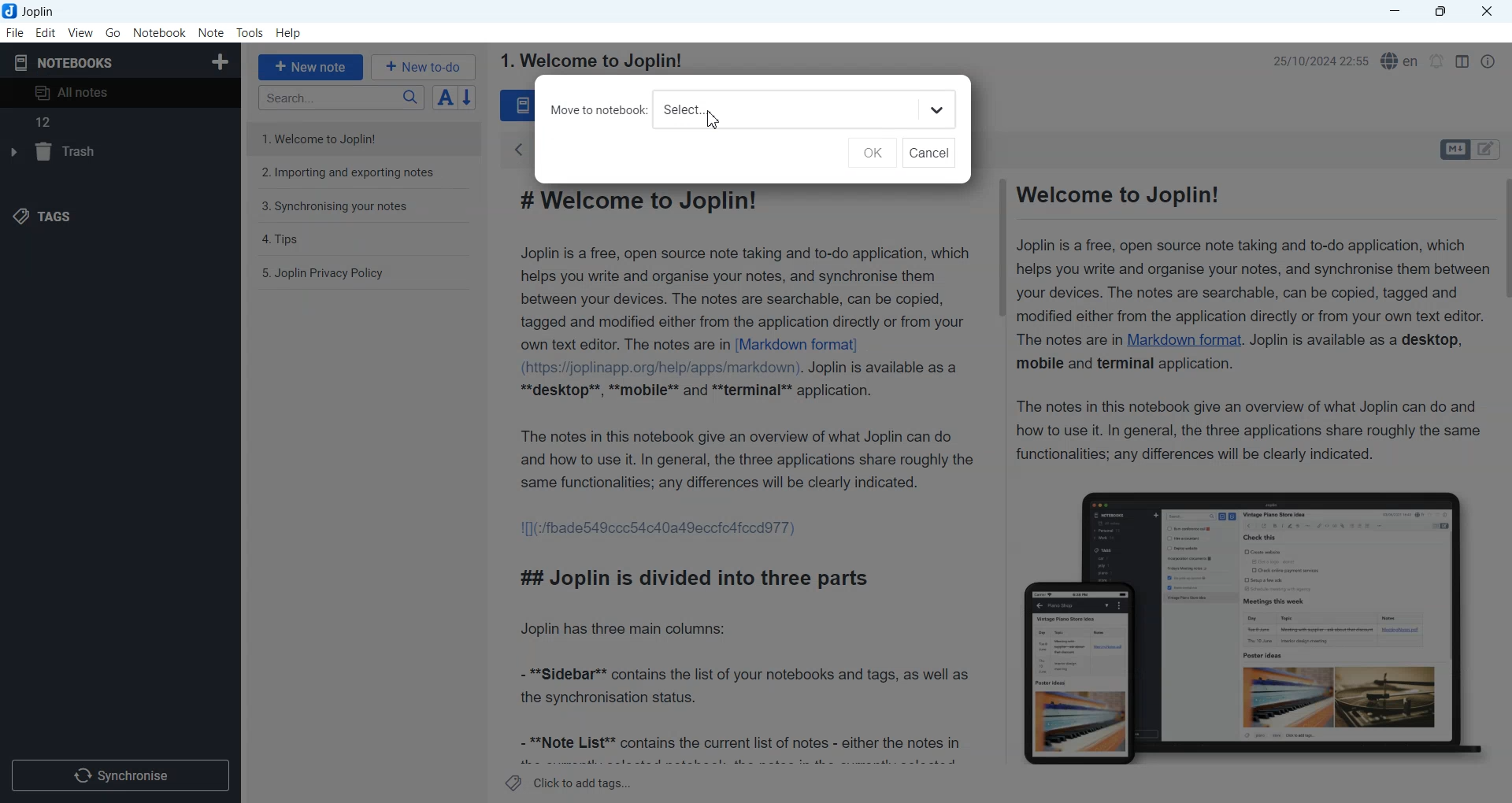 The image size is (1512, 803). I want to click on 4. Tips, so click(282, 239).